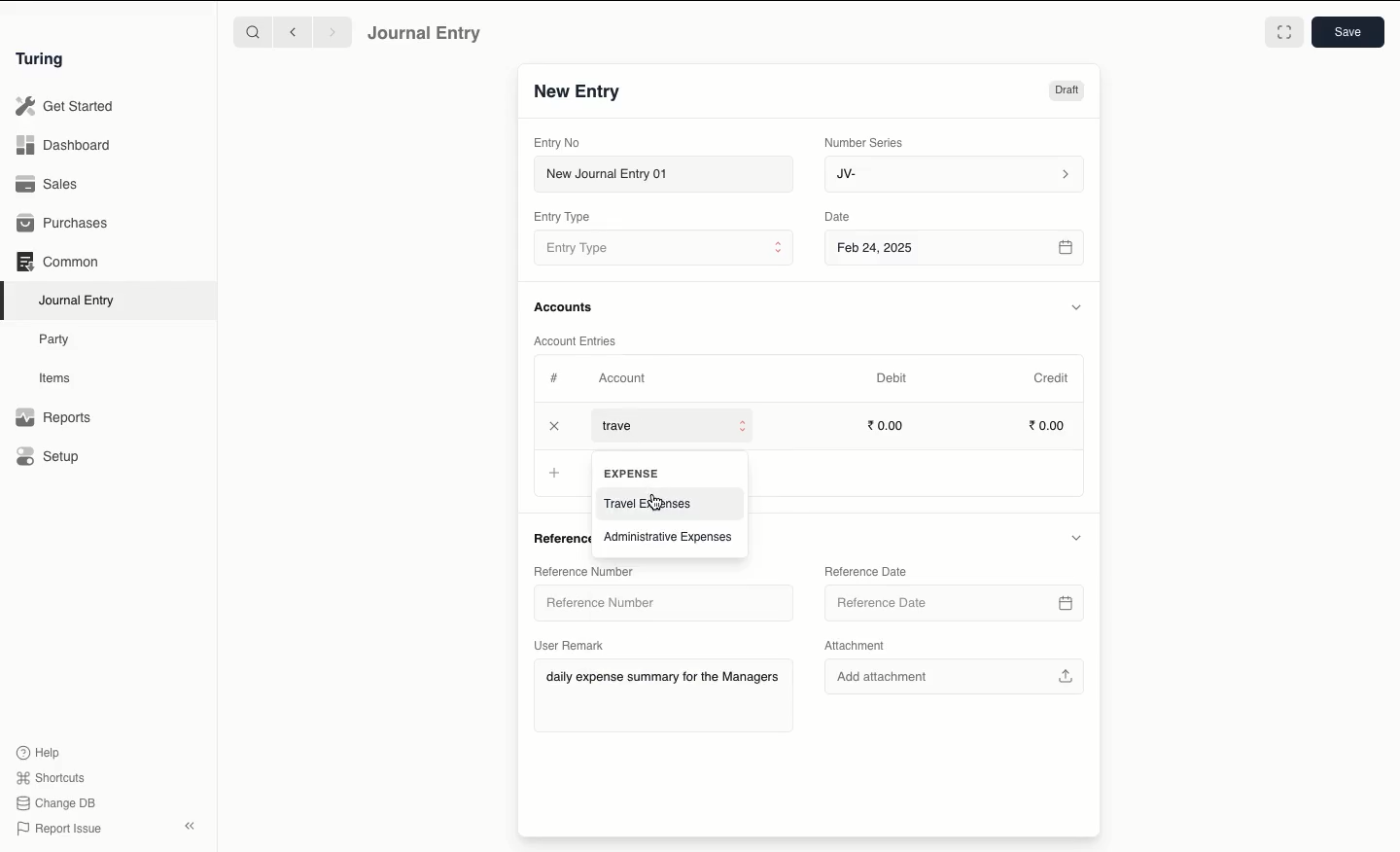 This screenshot has width=1400, height=852. I want to click on New Journal Entry 01, so click(662, 173).